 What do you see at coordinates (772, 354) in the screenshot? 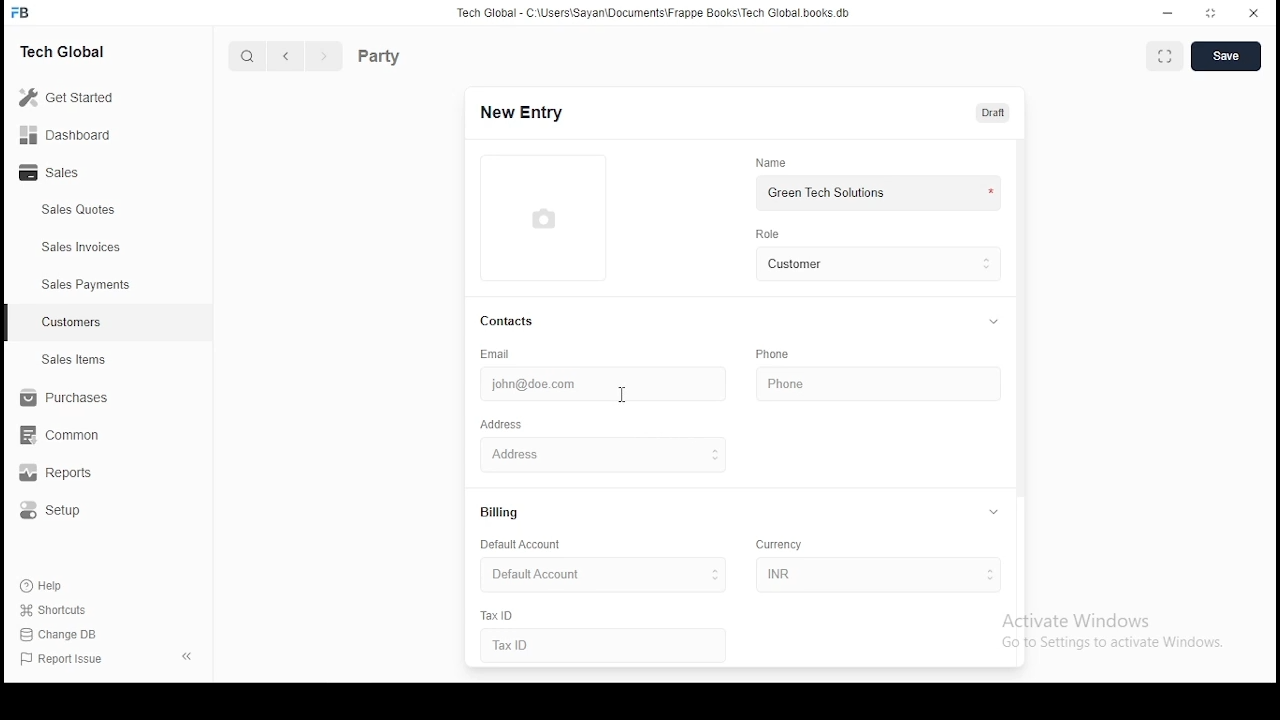
I see `phone` at bounding box center [772, 354].